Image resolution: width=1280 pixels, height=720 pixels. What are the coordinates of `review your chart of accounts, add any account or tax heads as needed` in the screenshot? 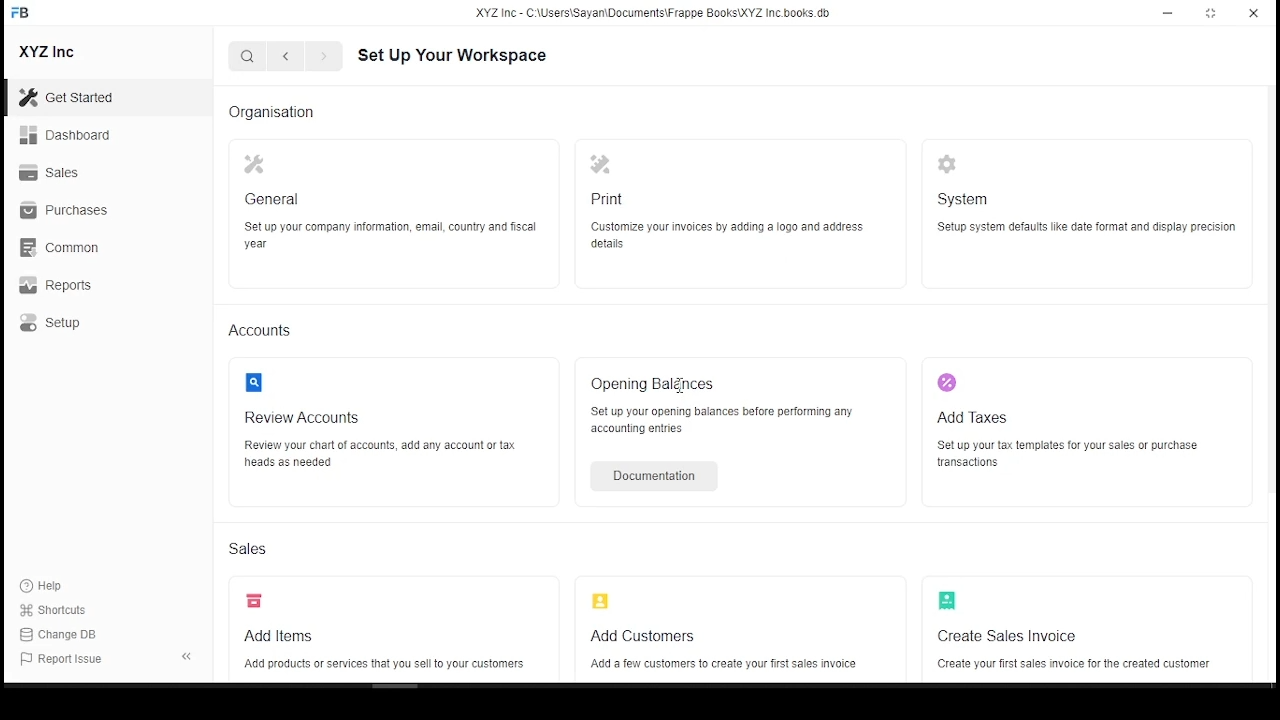 It's located at (388, 452).